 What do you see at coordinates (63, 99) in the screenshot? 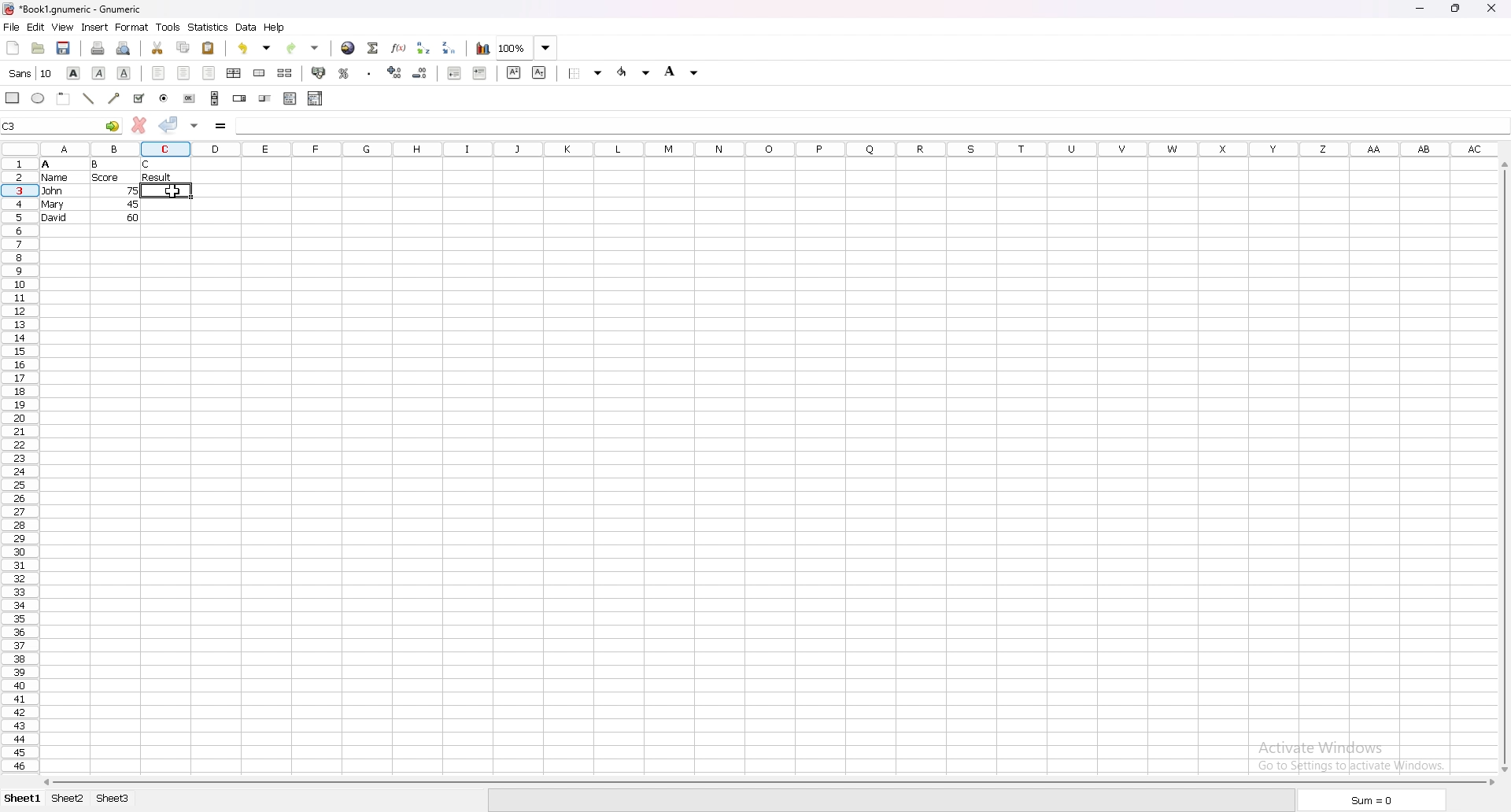
I see `frame` at bounding box center [63, 99].